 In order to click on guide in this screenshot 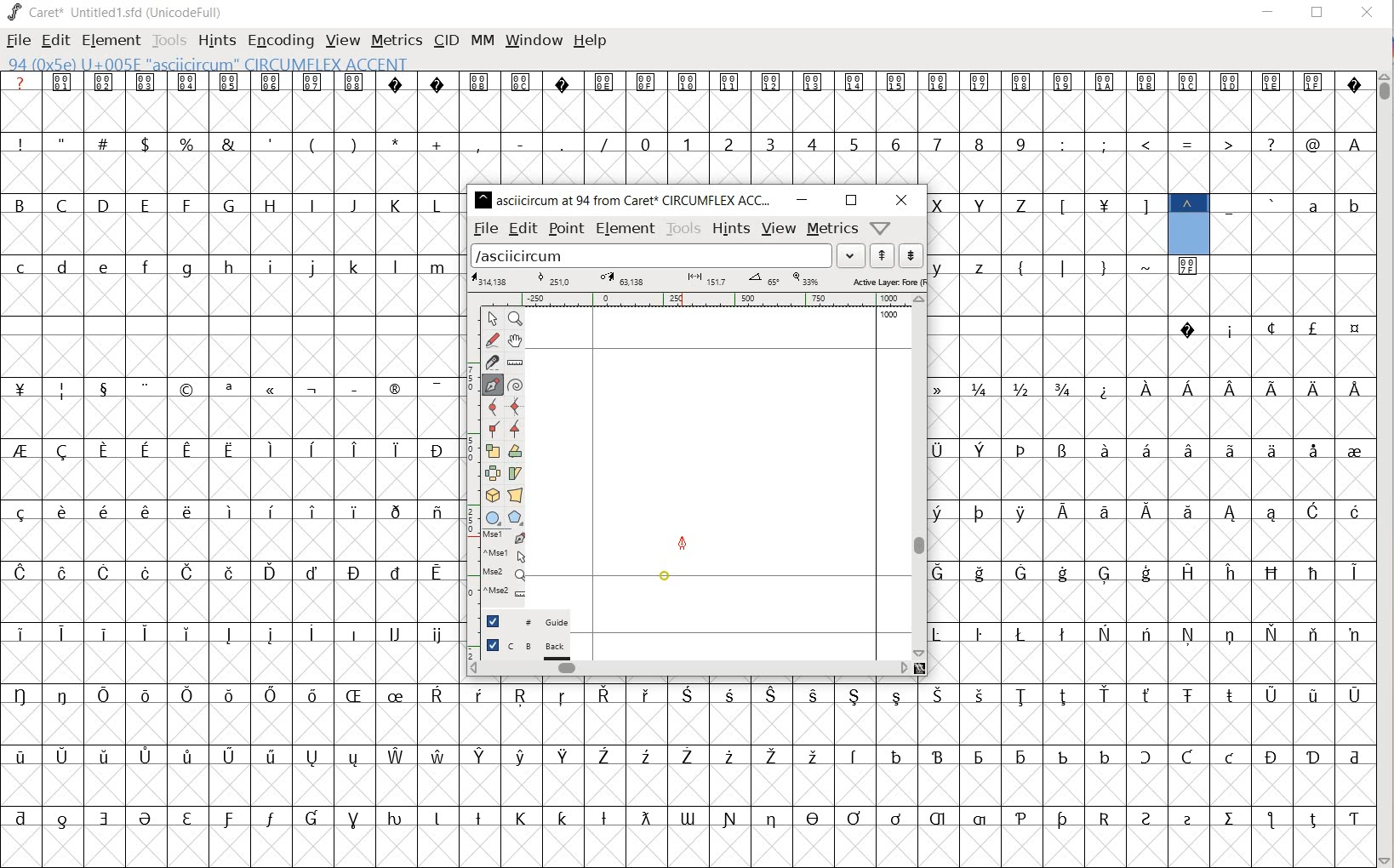, I will do `click(528, 621)`.